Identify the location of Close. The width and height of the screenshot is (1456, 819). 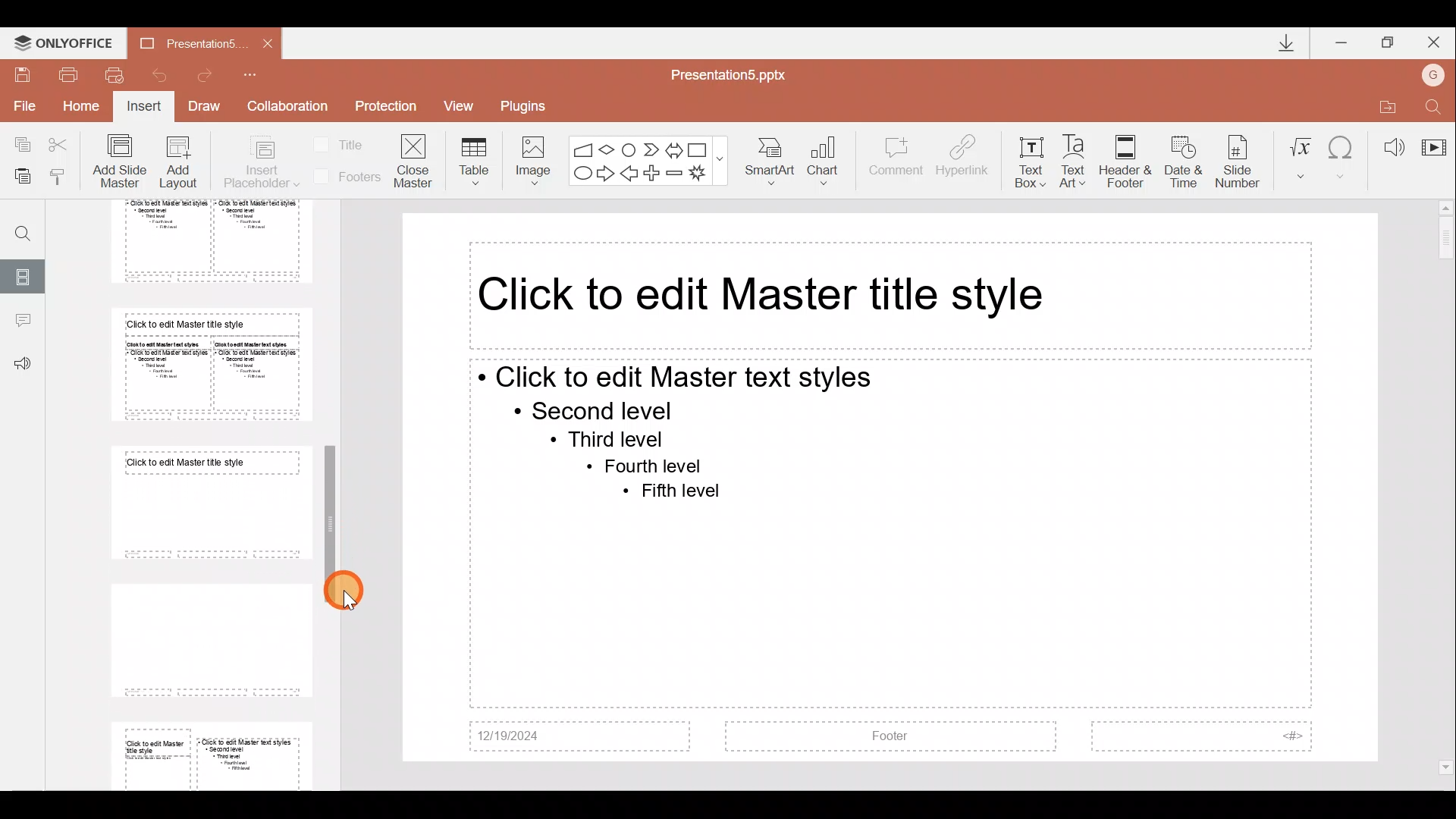
(1436, 39).